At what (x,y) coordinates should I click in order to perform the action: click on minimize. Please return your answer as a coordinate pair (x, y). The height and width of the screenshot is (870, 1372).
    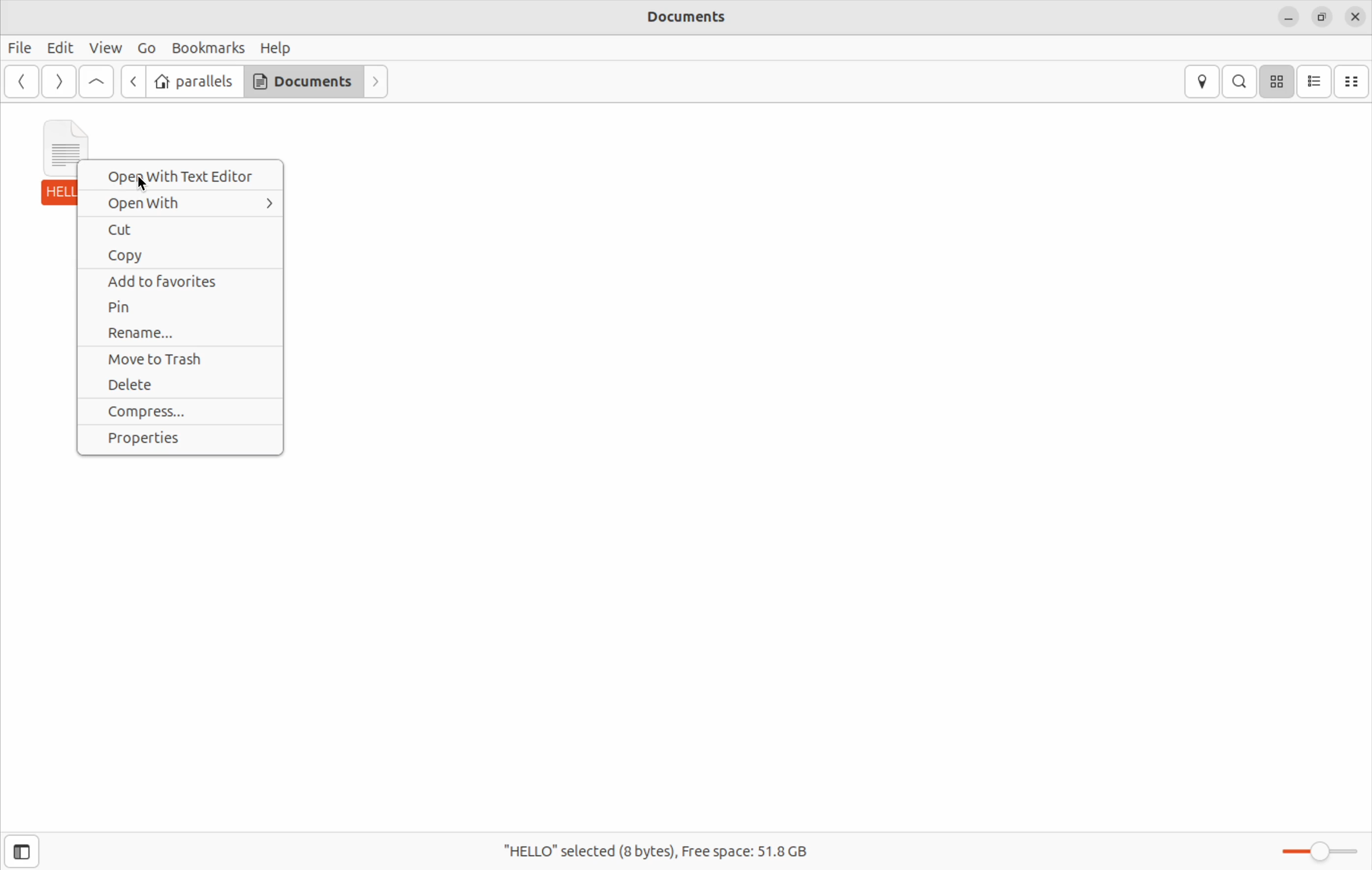
    Looking at the image, I should click on (1288, 18).